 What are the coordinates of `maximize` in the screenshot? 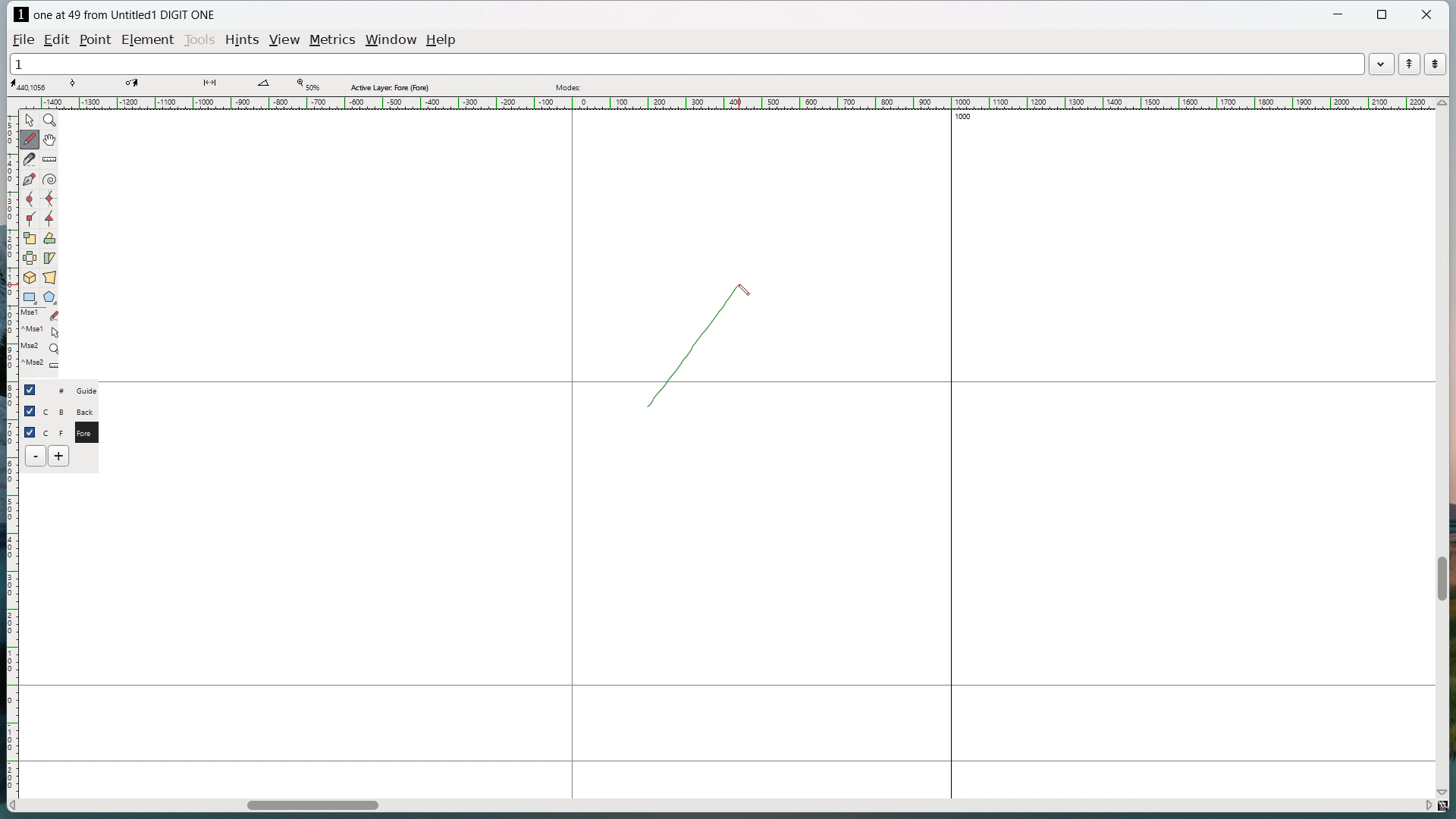 It's located at (1383, 15).